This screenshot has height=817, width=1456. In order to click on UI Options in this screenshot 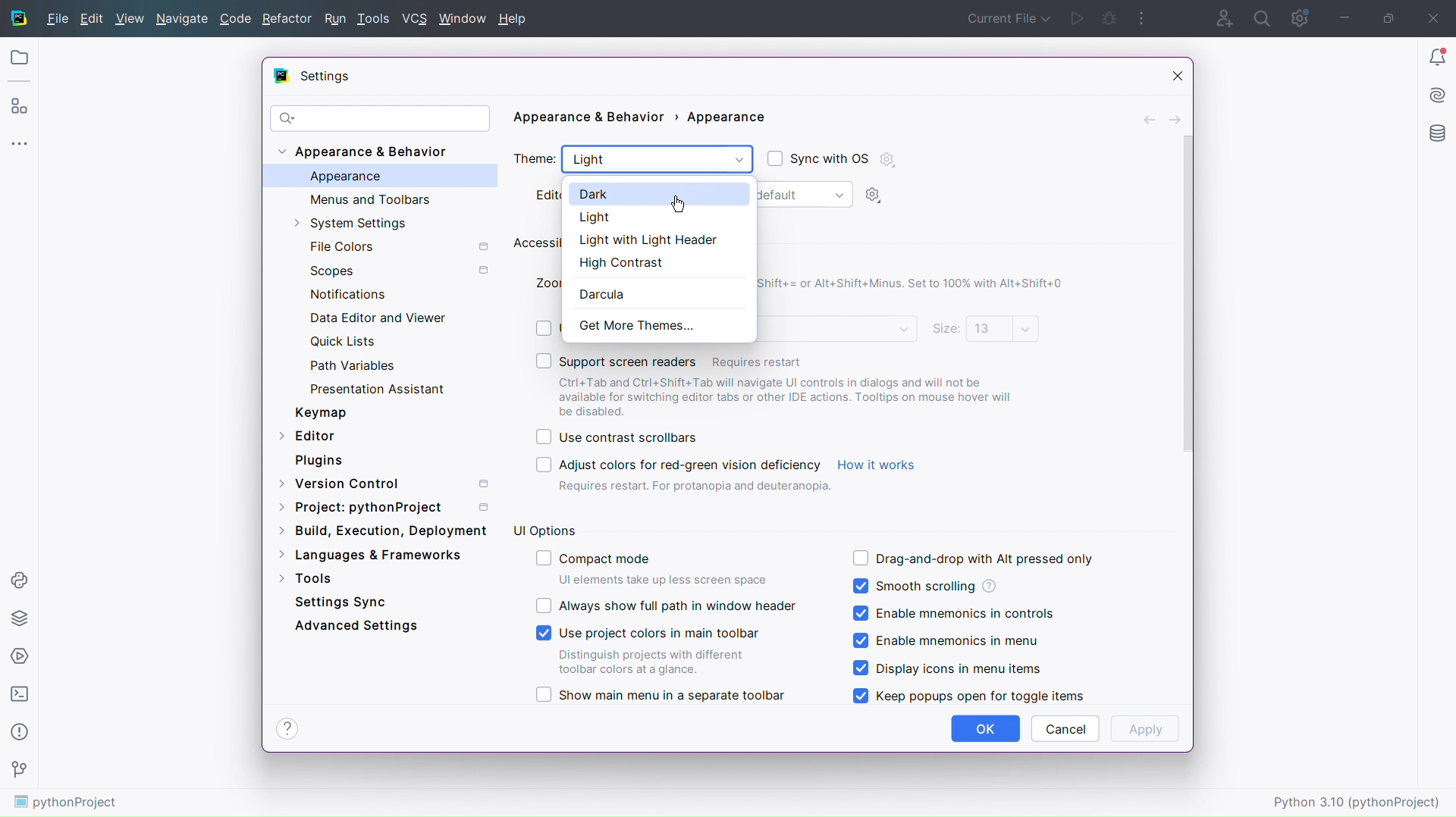, I will do `click(544, 529)`.